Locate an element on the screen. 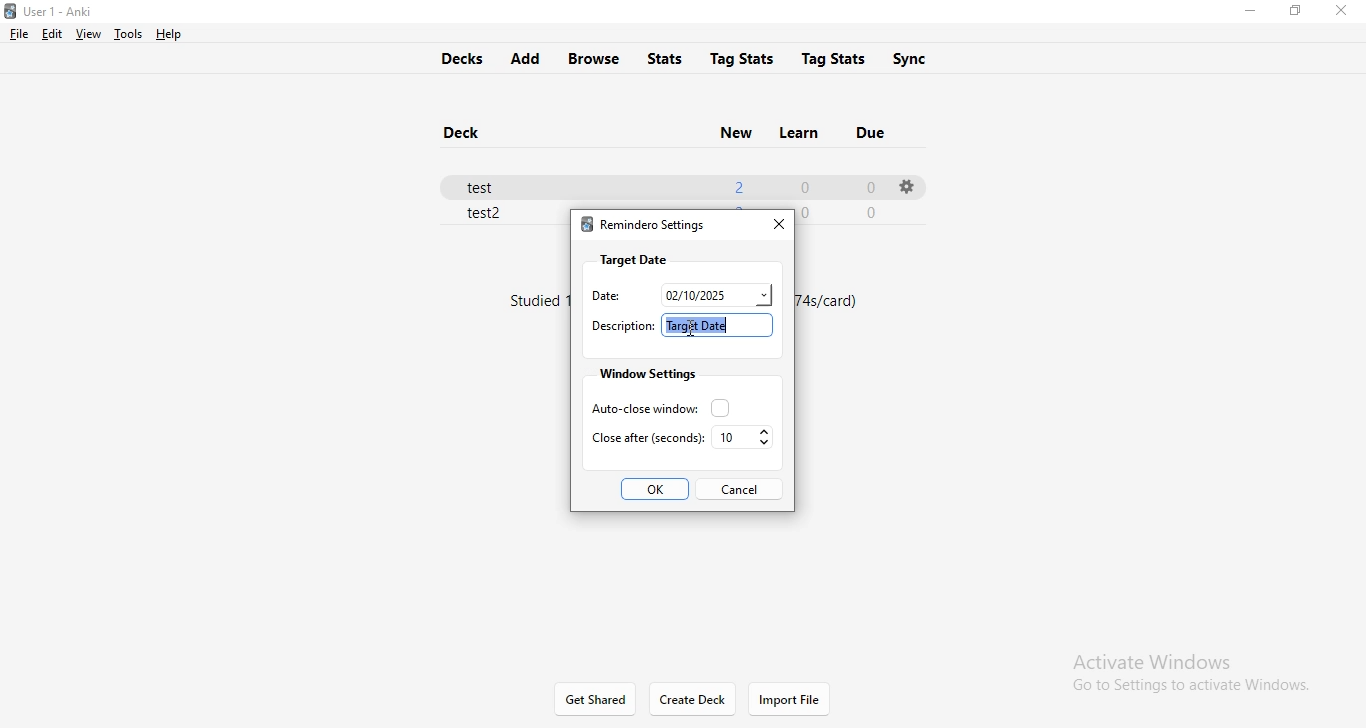 The height and width of the screenshot is (728, 1366). file is located at coordinates (19, 34).